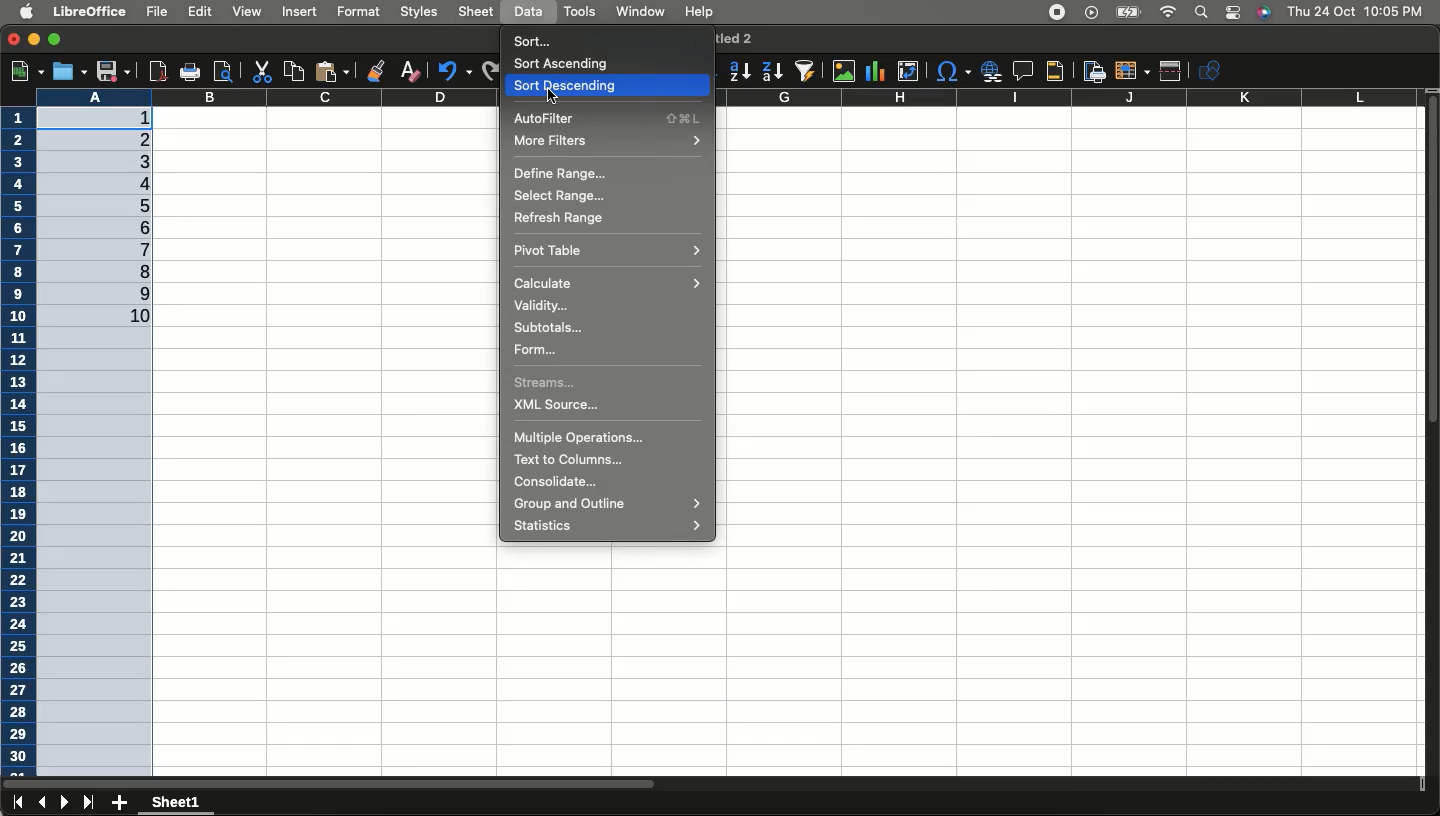 Image resolution: width=1440 pixels, height=816 pixels. I want to click on Format, so click(359, 10).